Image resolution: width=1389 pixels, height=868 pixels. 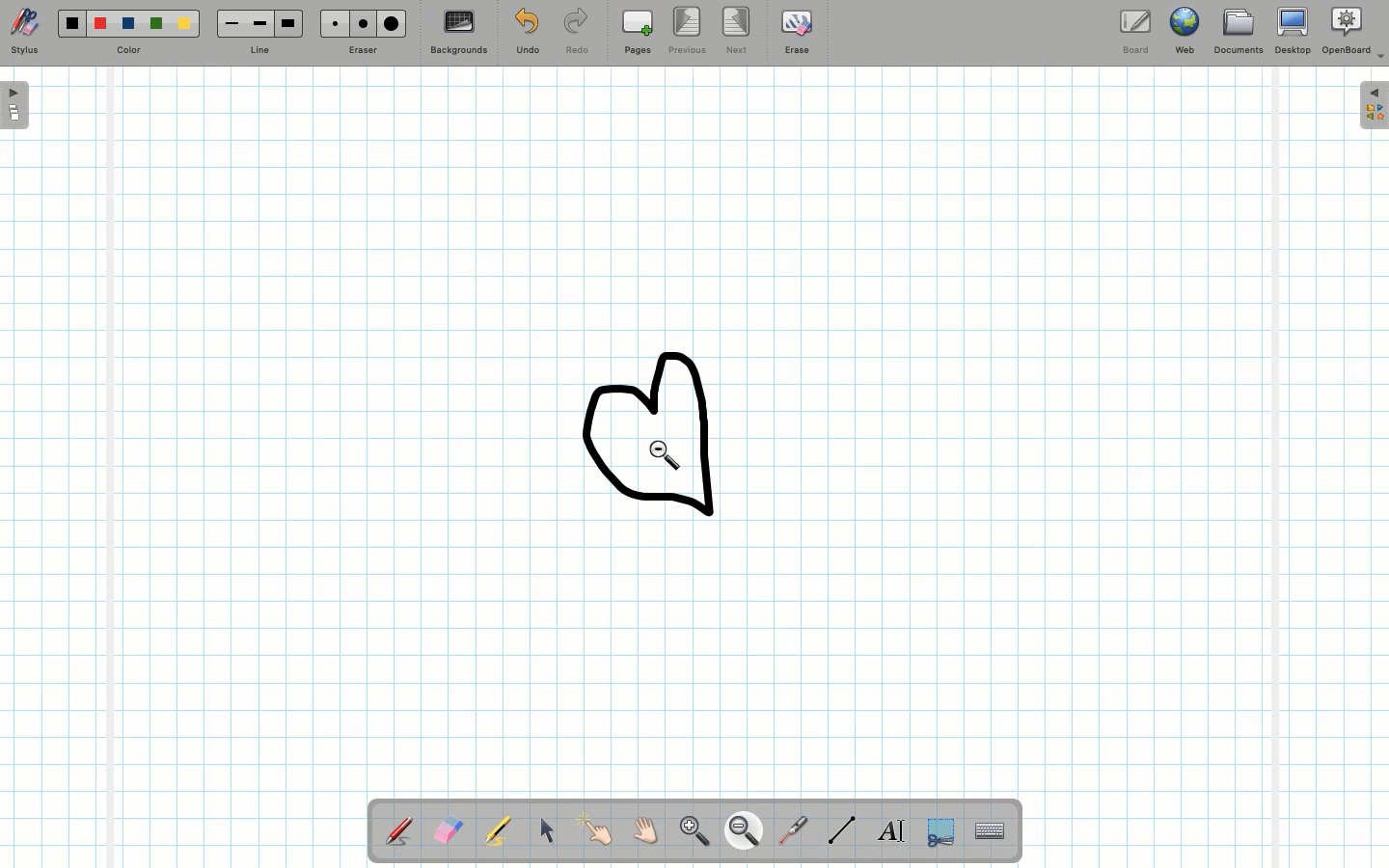 What do you see at coordinates (635, 32) in the screenshot?
I see `Pages (add)` at bounding box center [635, 32].